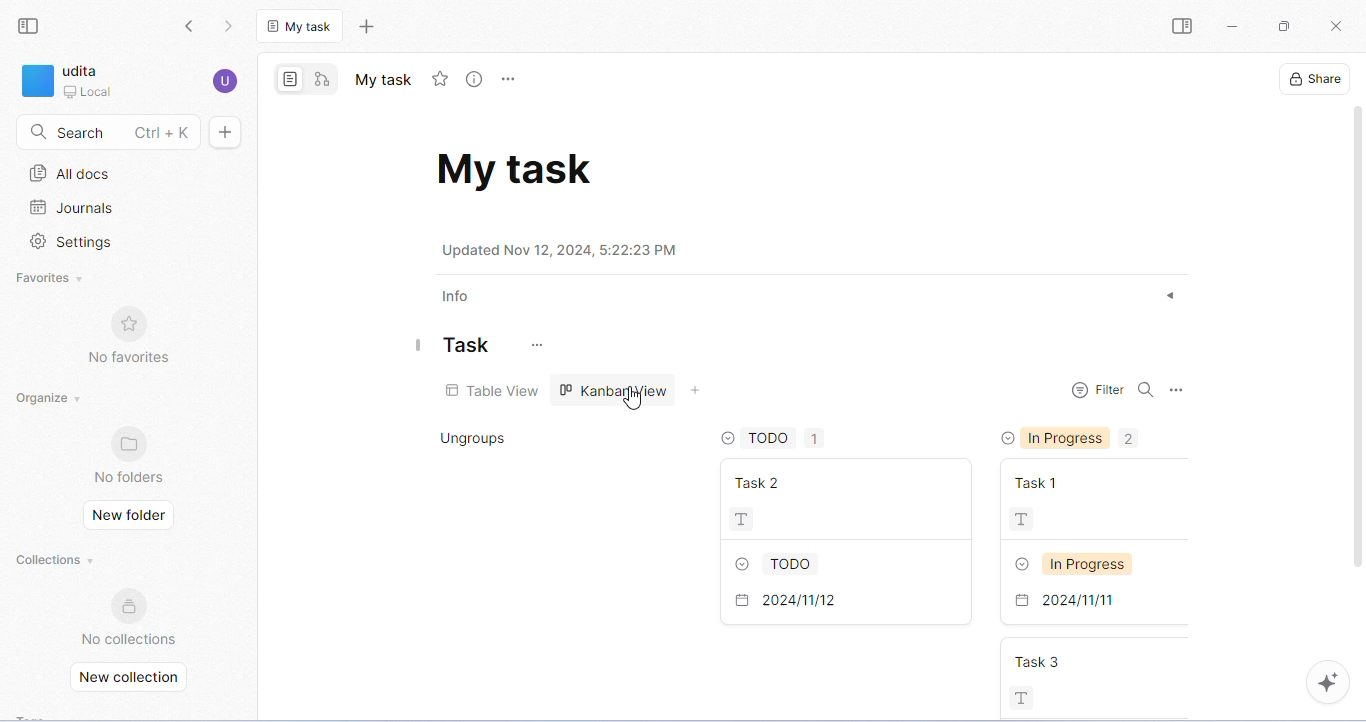  Describe the element at coordinates (1004, 437) in the screenshot. I see `drop down` at that location.